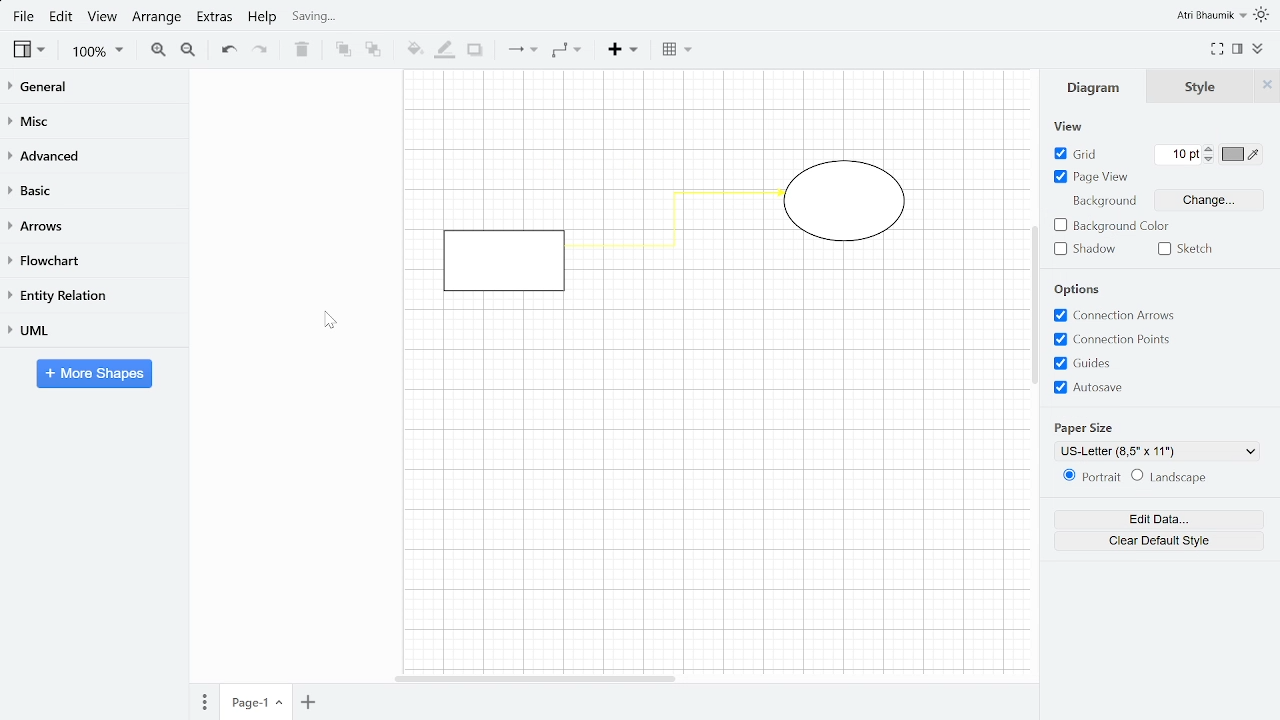 The width and height of the screenshot is (1280, 720). What do you see at coordinates (1185, 248) in the screenshot?
I see `Sketch` at bounding box center [1185, 248].